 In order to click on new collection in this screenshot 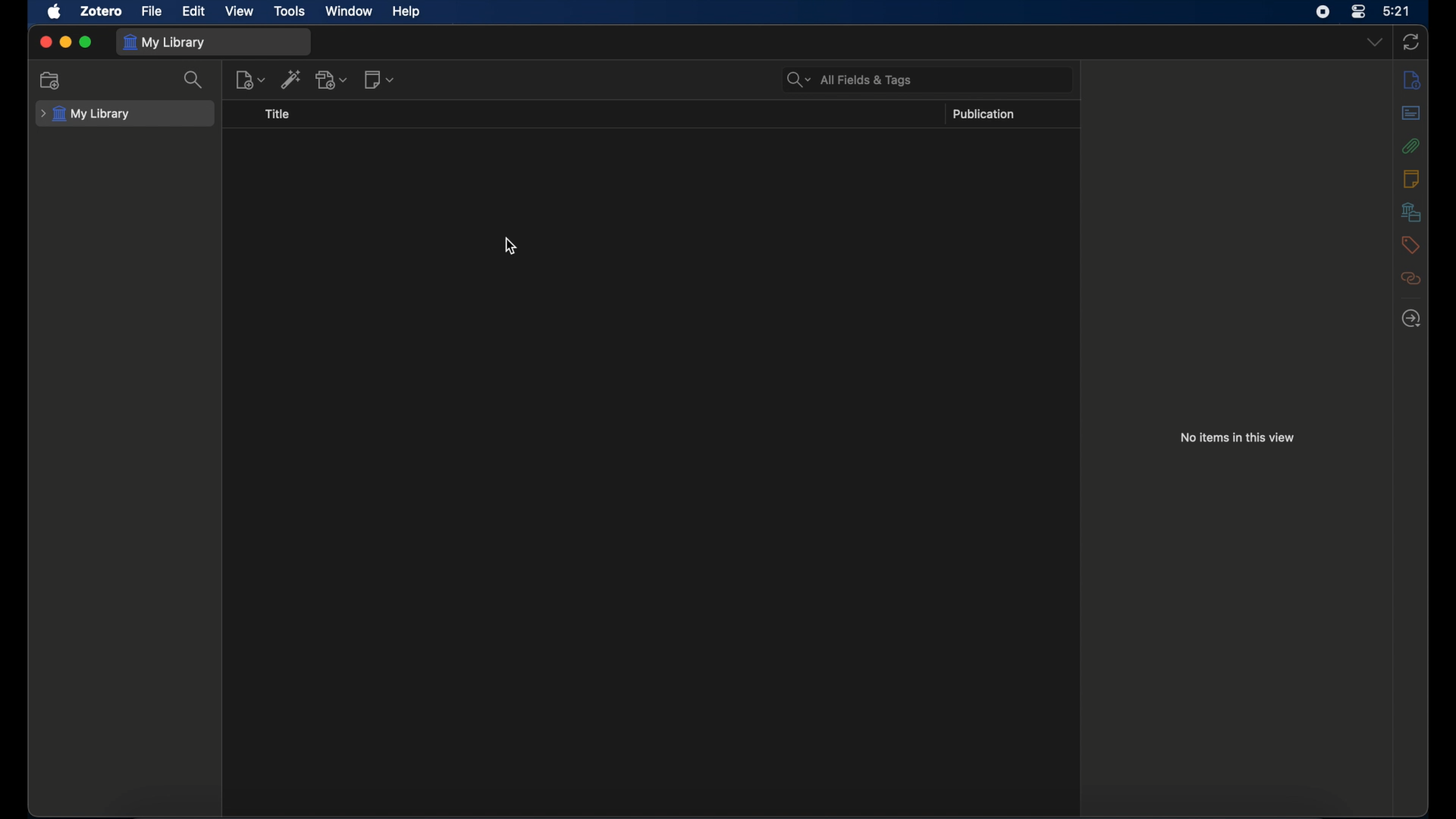, I will do `click(51, 80)`.